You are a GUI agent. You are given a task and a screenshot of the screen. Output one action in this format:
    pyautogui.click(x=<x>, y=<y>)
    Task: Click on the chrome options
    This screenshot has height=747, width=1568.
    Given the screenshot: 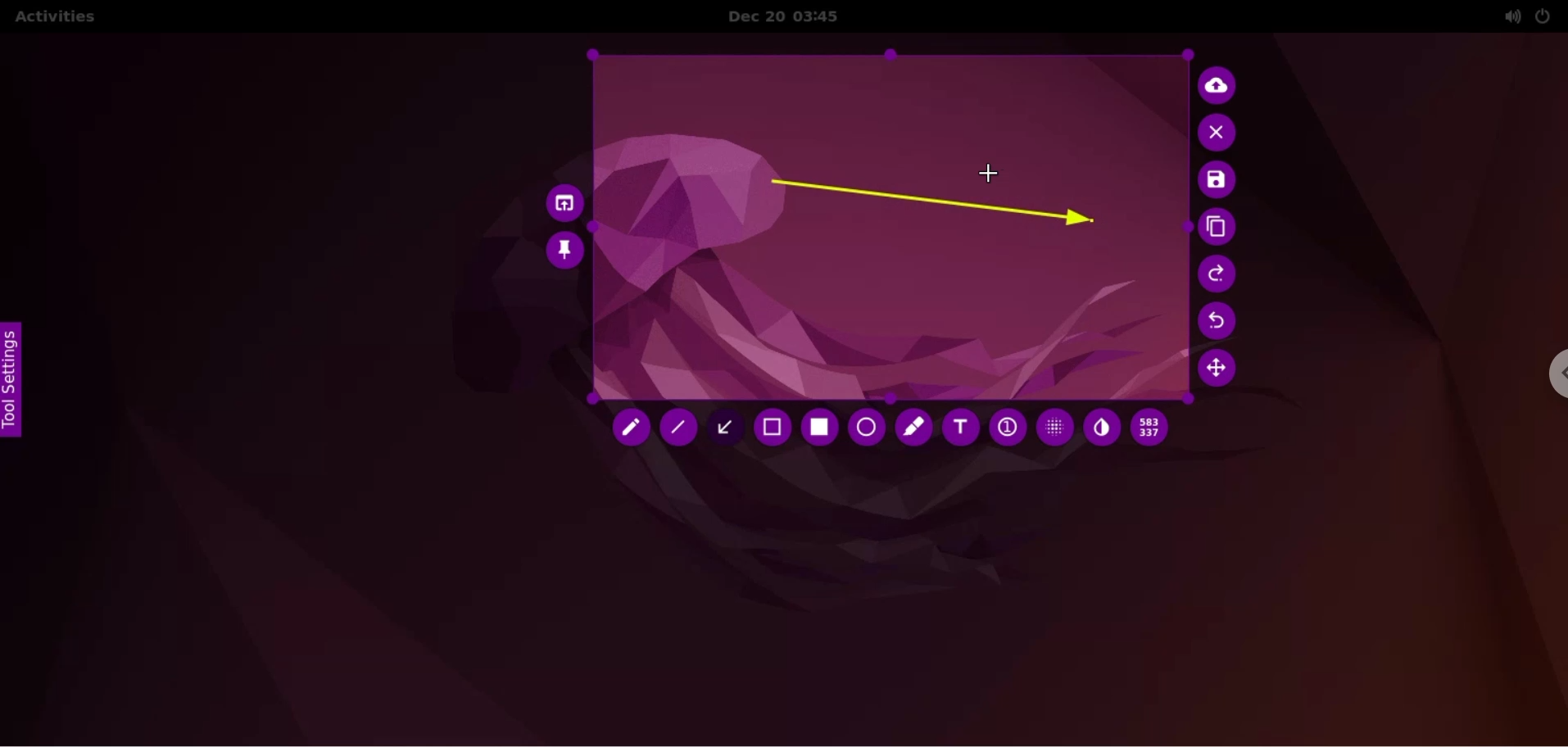 What is the action you would take?
    pyautogui.click(x=1548, y=378)
    